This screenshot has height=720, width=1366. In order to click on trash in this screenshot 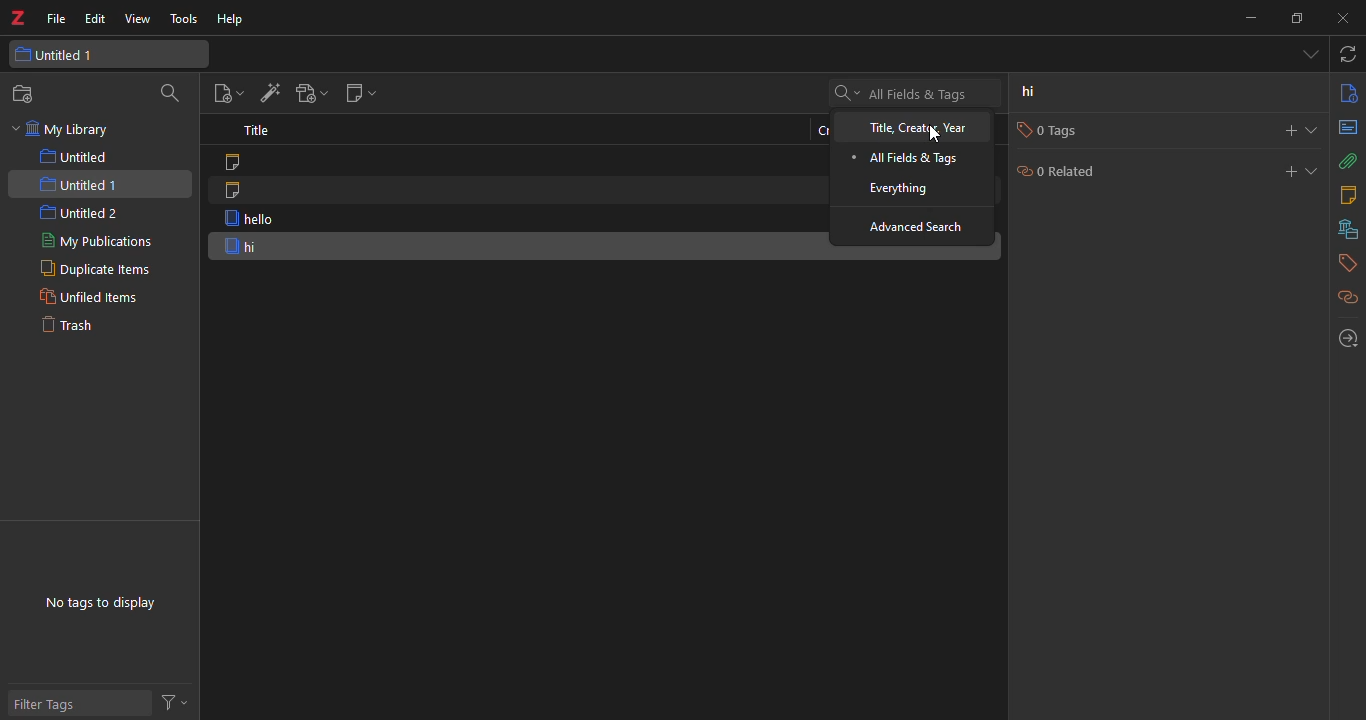, I will do `click(74, 326)`.